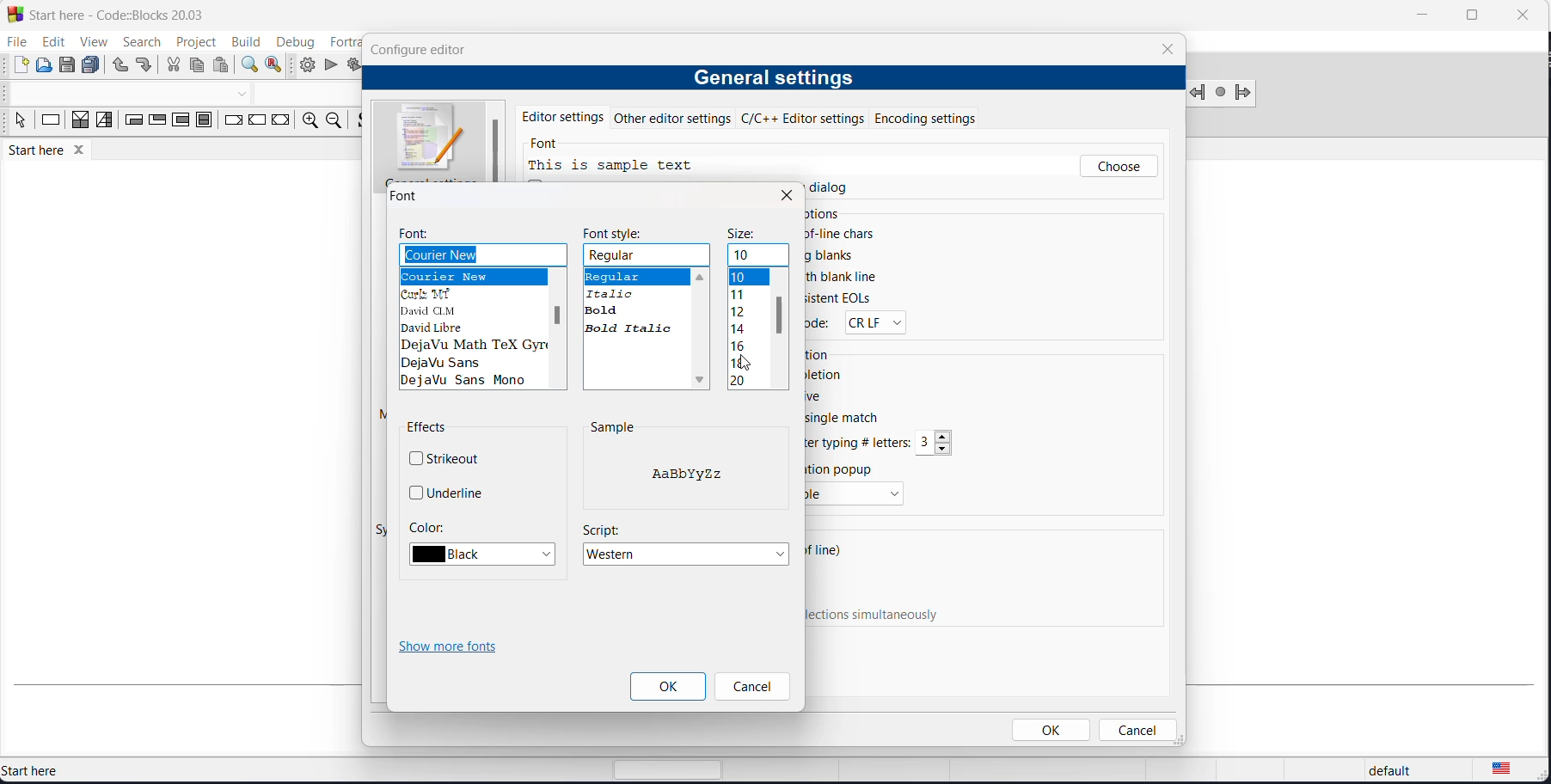 This screenshot has height=784, width=1551. I want to click on of-line chars, so click(844, 234).